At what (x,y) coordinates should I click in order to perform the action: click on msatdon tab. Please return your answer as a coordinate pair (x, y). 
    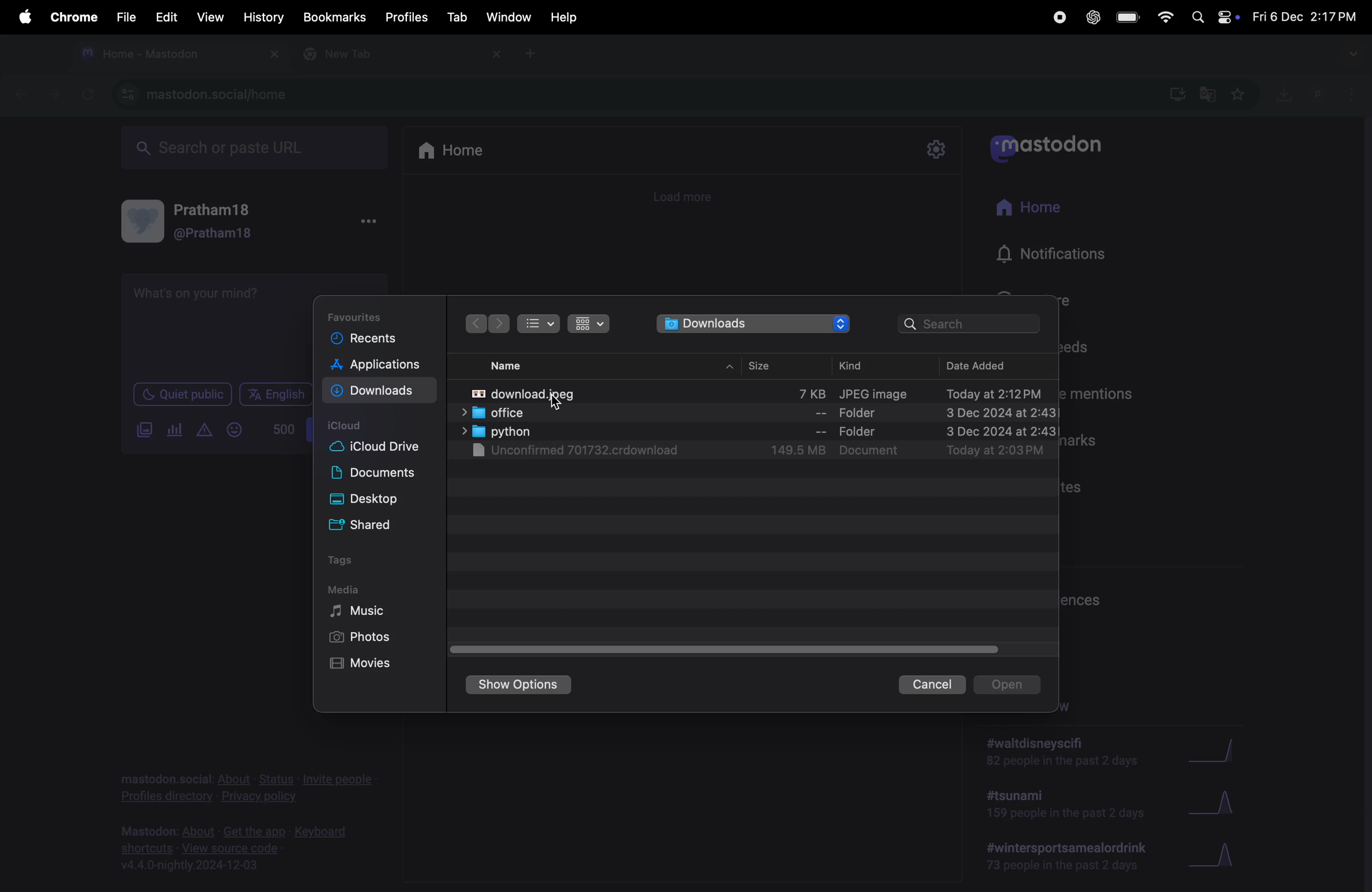
    Looking at the image, I should click on (175, 52).